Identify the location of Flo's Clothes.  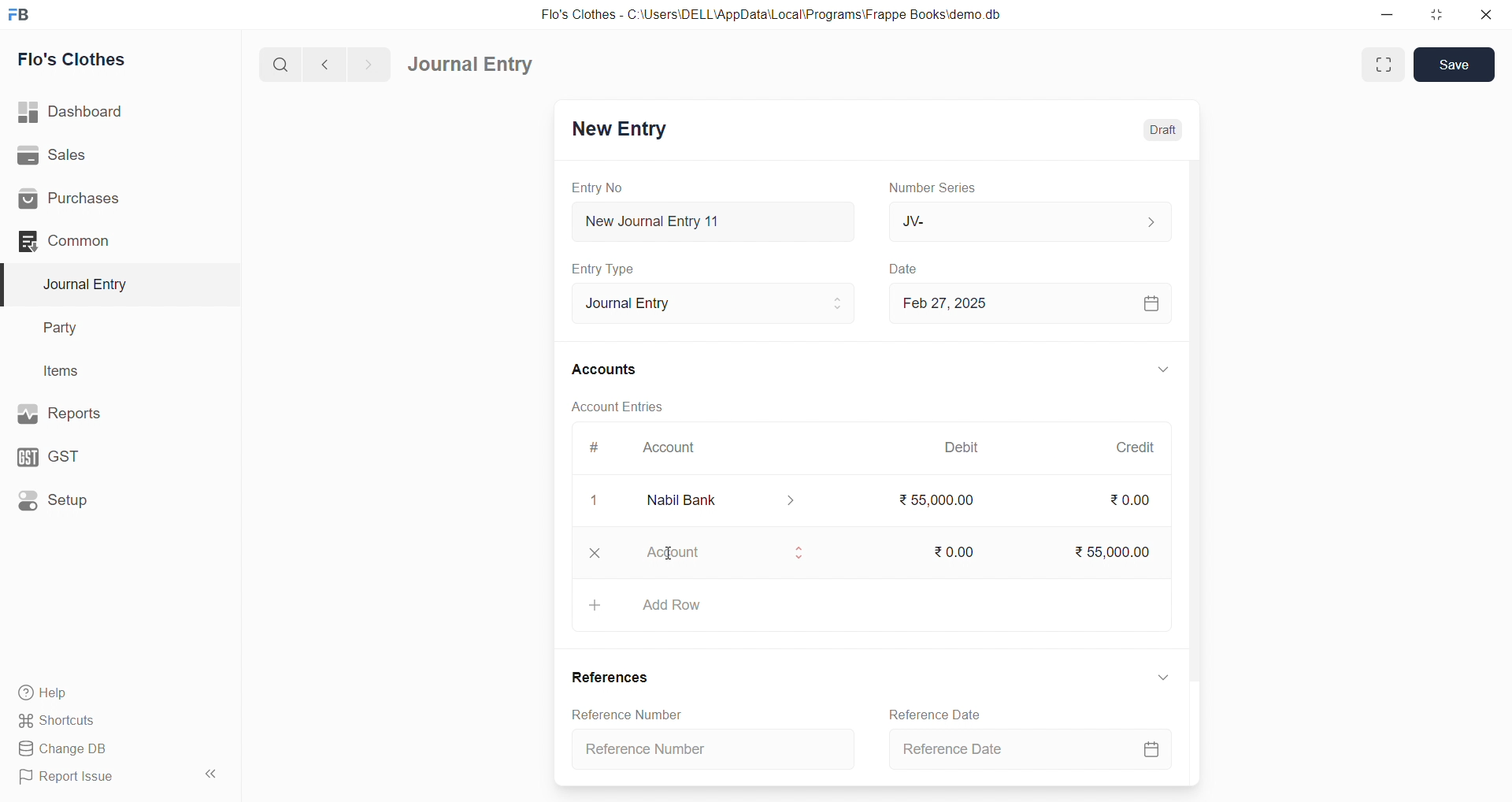
(80, 59).